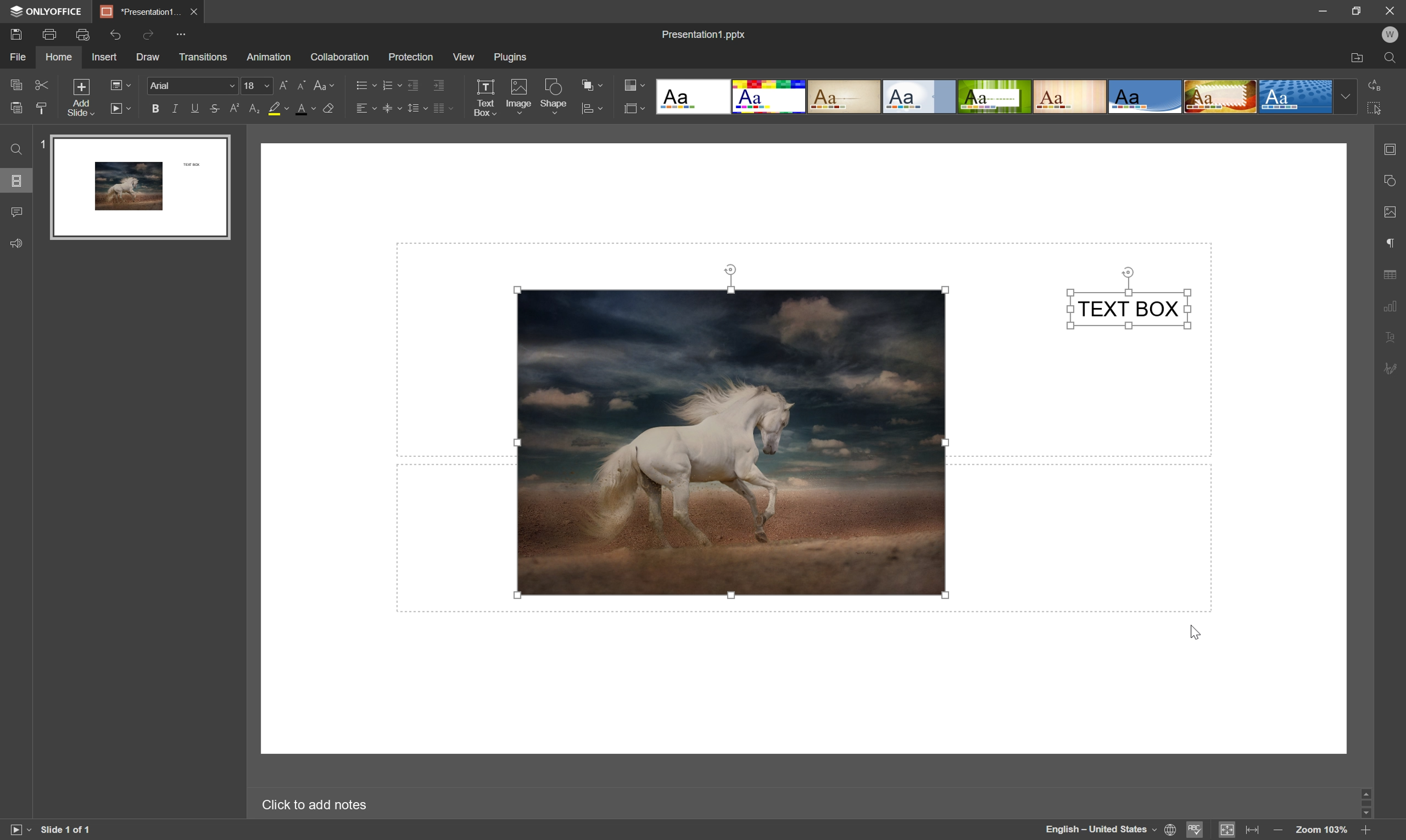 The image size is (1406, 840). Describe the element at coordinates (1377, 84) in the screenshot. I see `replace` at that location.